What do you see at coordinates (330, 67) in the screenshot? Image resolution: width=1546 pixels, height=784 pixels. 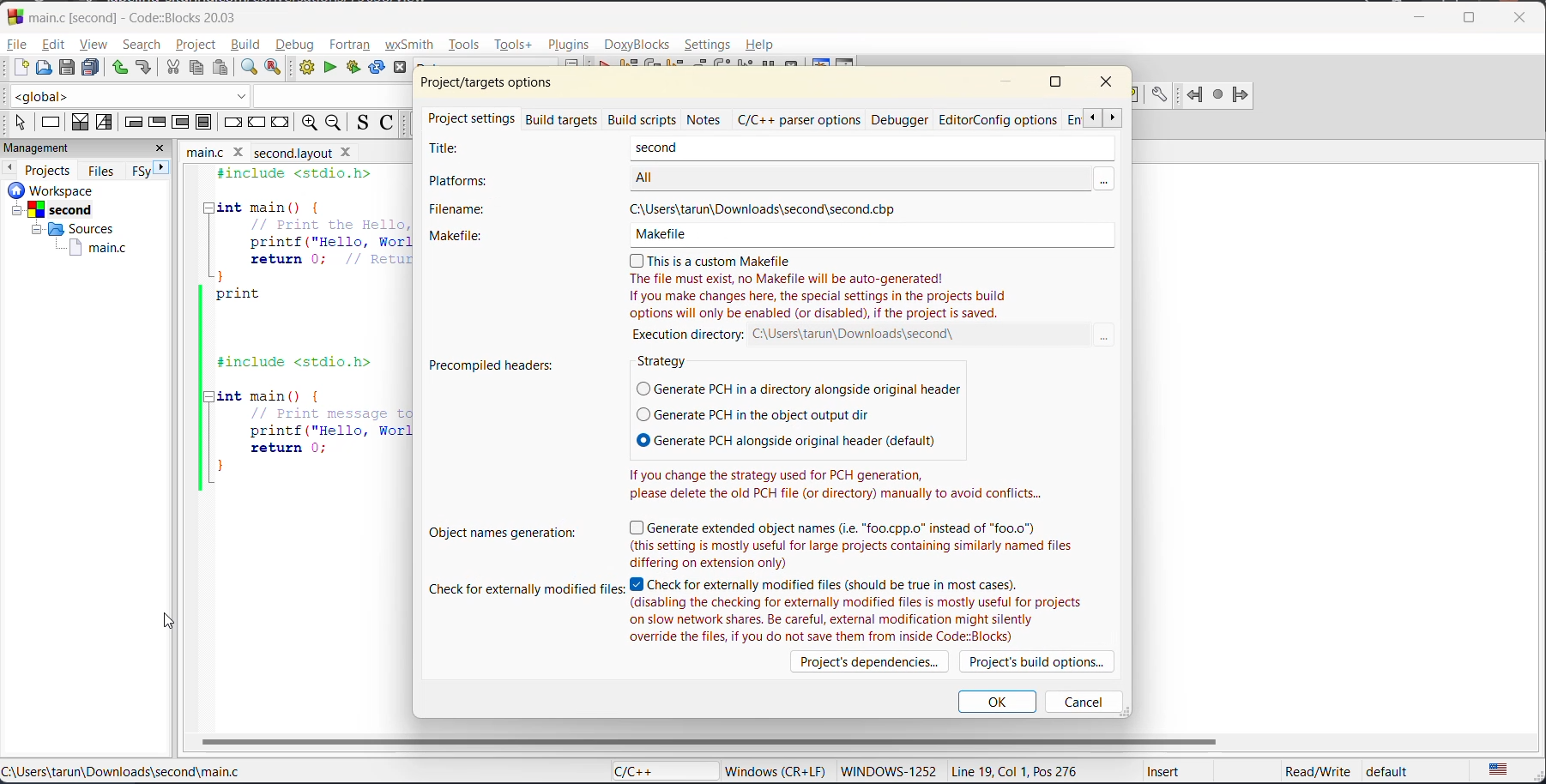 I see `run` at bounding box center [330, 67].